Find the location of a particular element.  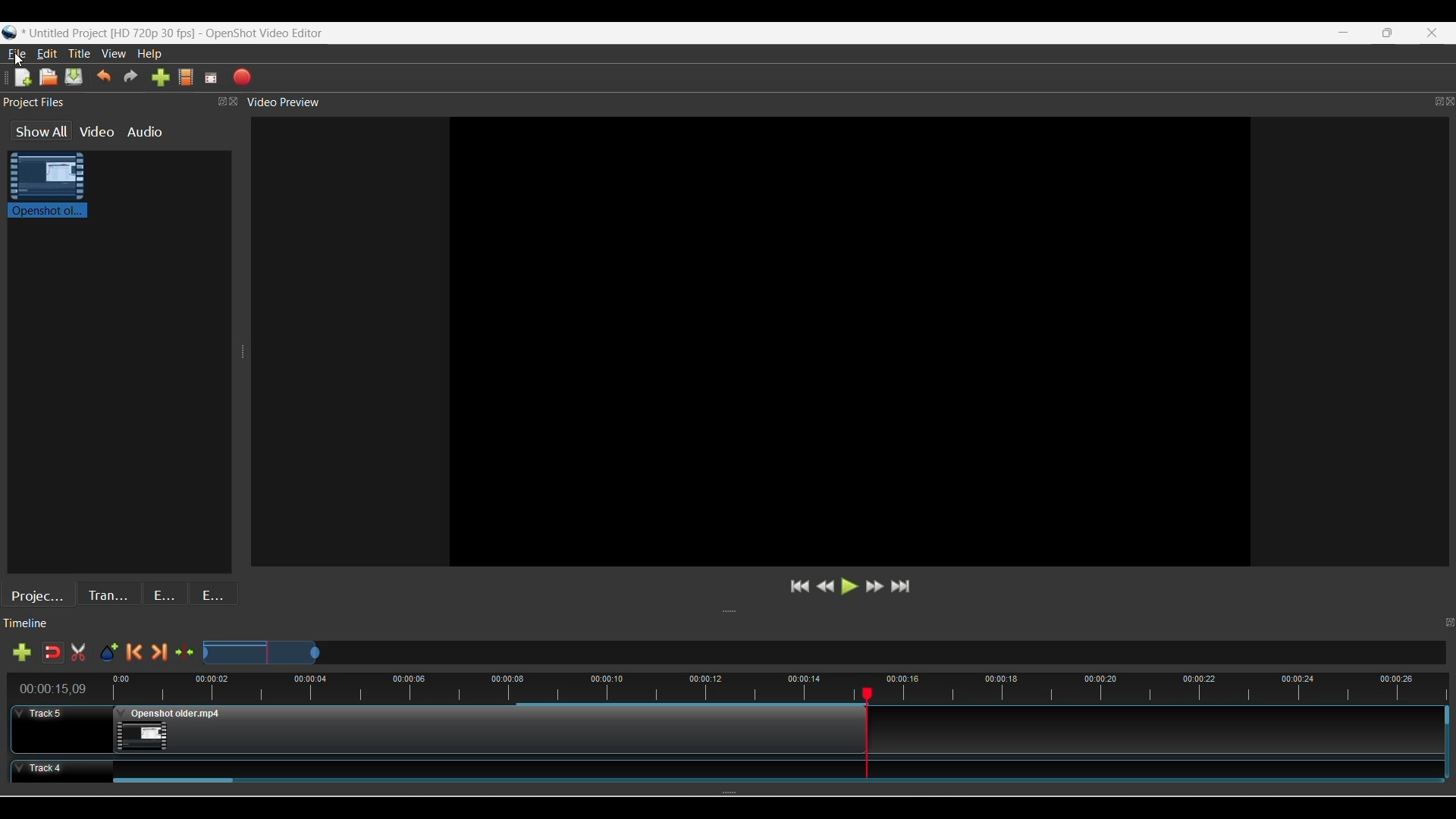

Cursor clicking on File is located at coordinates (20, 59).